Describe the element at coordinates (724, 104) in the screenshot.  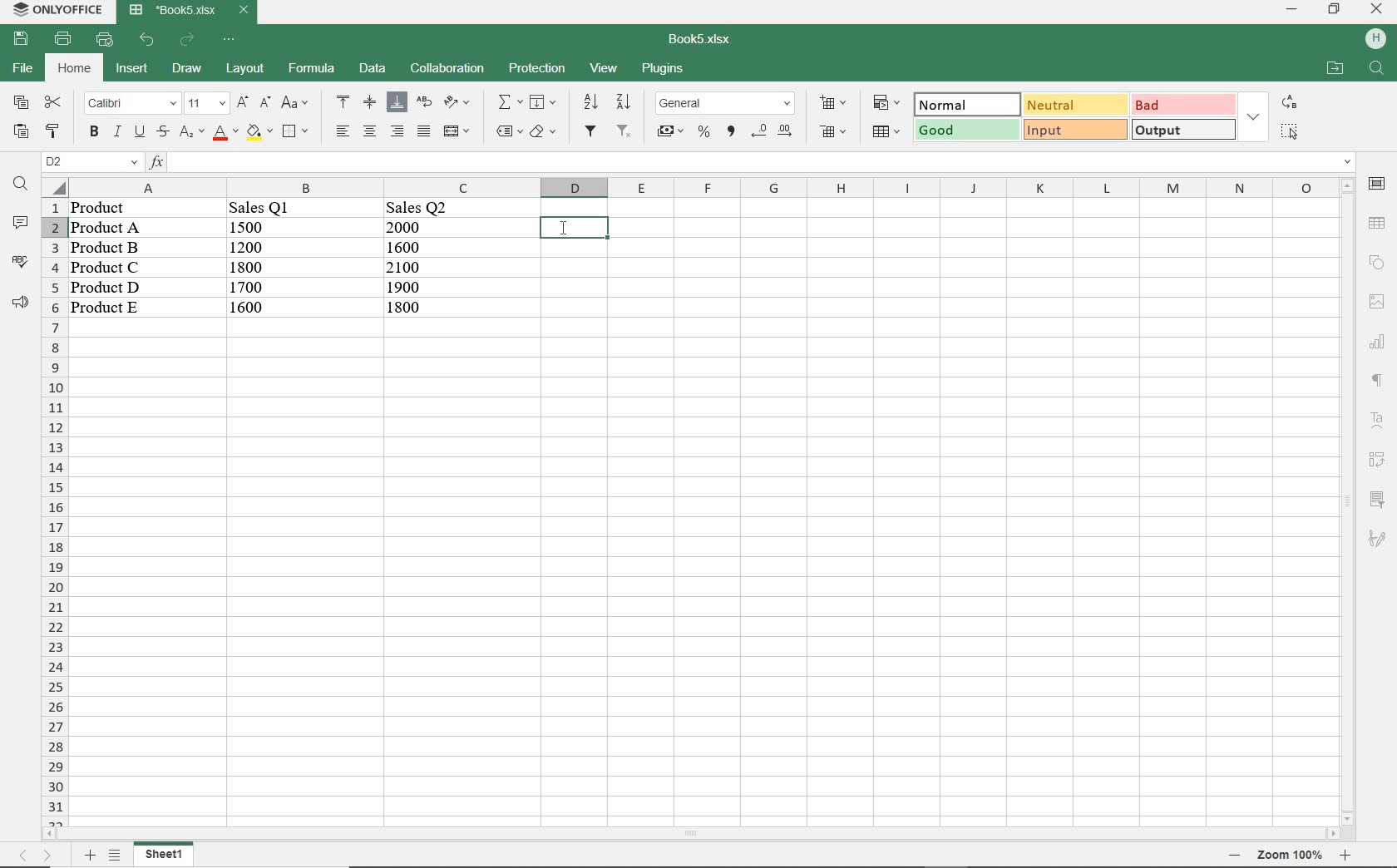
I see `number format` at that location.